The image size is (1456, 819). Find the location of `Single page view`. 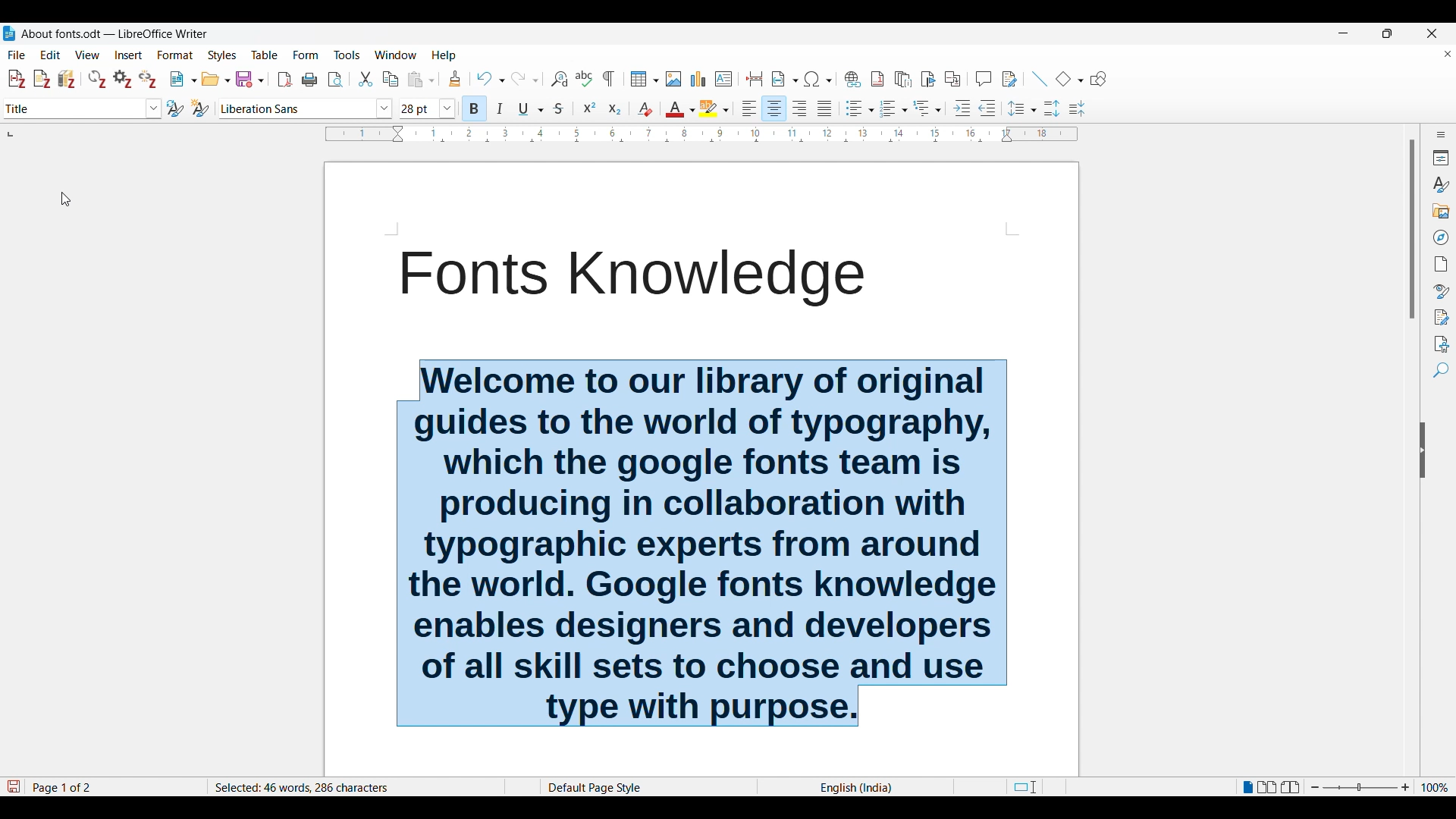

Single page view is located at coordinates (1247, 786).